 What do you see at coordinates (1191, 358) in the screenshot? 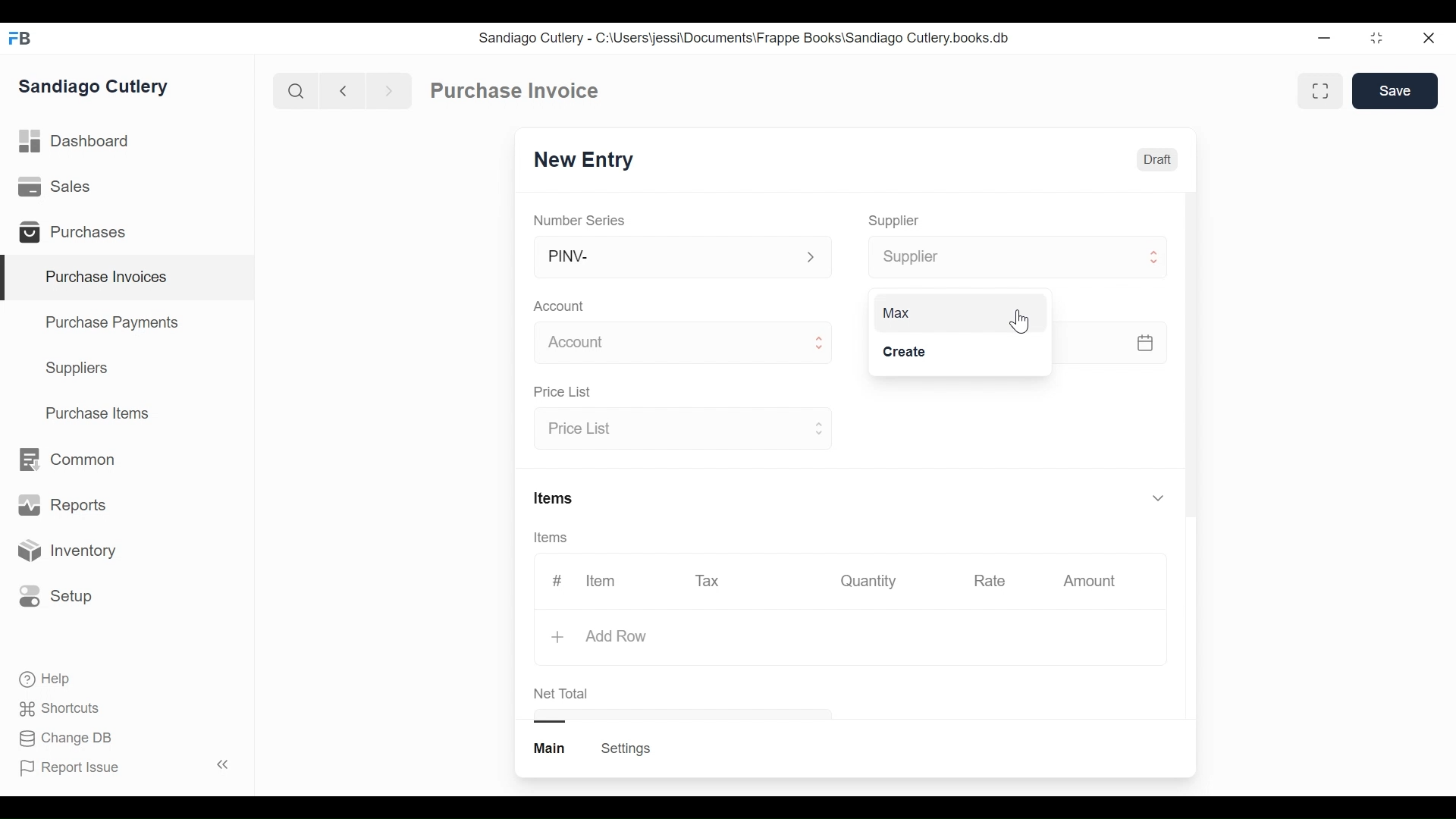
I see `Vertical Scroll bar` at bounding box center [1191, 358].